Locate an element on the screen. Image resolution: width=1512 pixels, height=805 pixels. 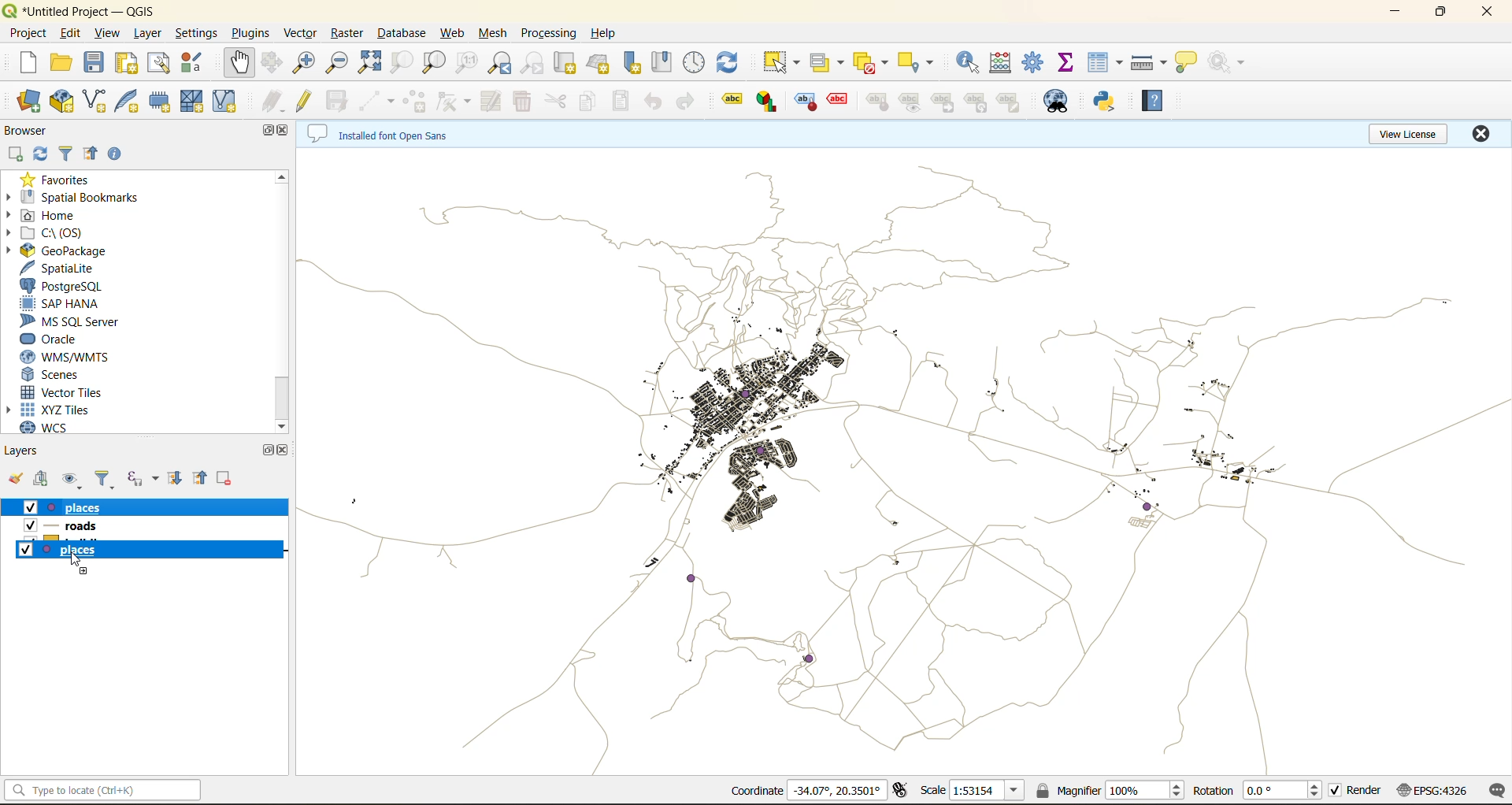
place is located at coordinates (76, 508).